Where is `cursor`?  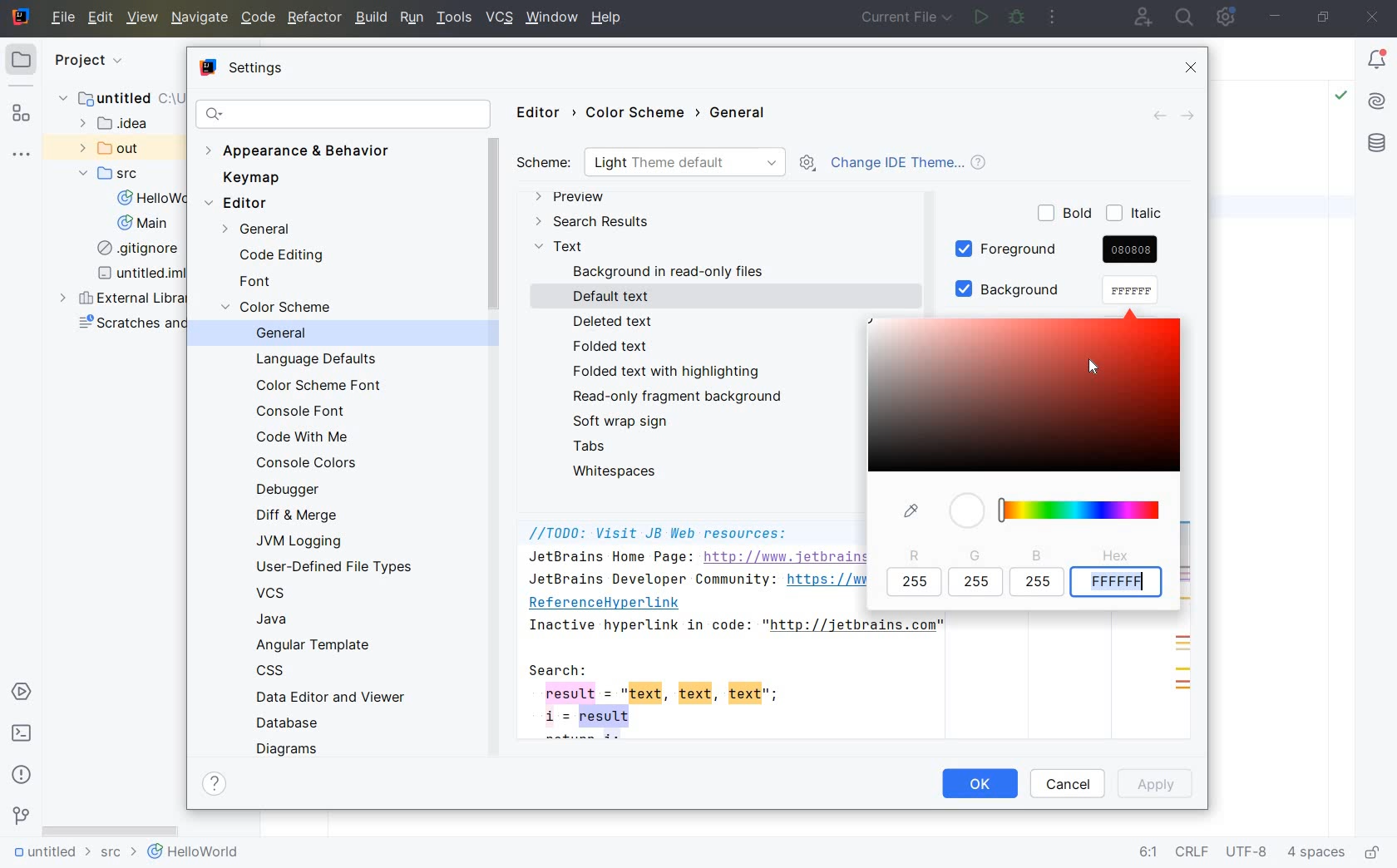 cursor is located at coordinates (1133, 291).